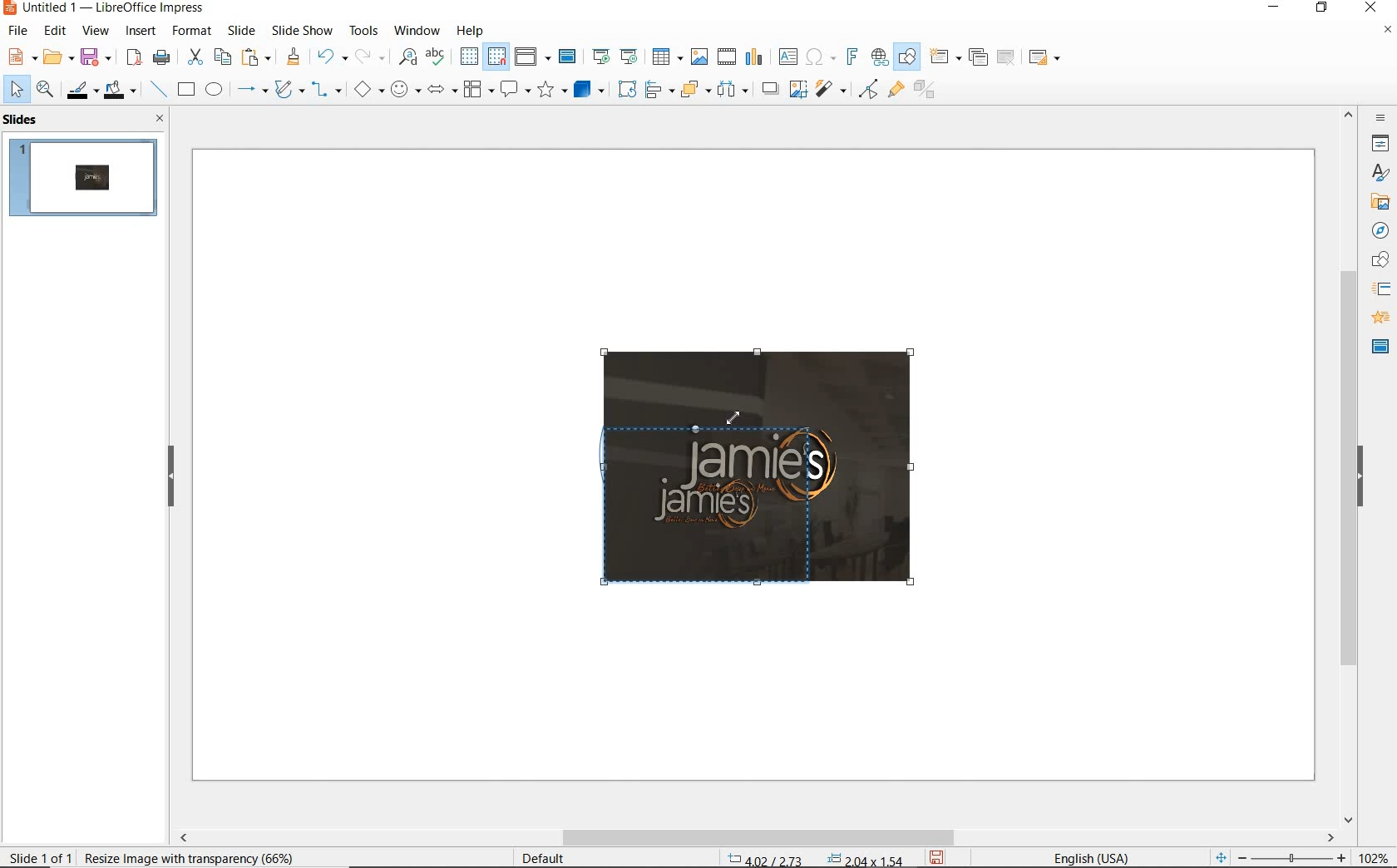 The width and height of the screenshot is (1397, 868). Describe the element at coordinates (1349, 465) in the screenshot. I see `scrollbar` at that location.